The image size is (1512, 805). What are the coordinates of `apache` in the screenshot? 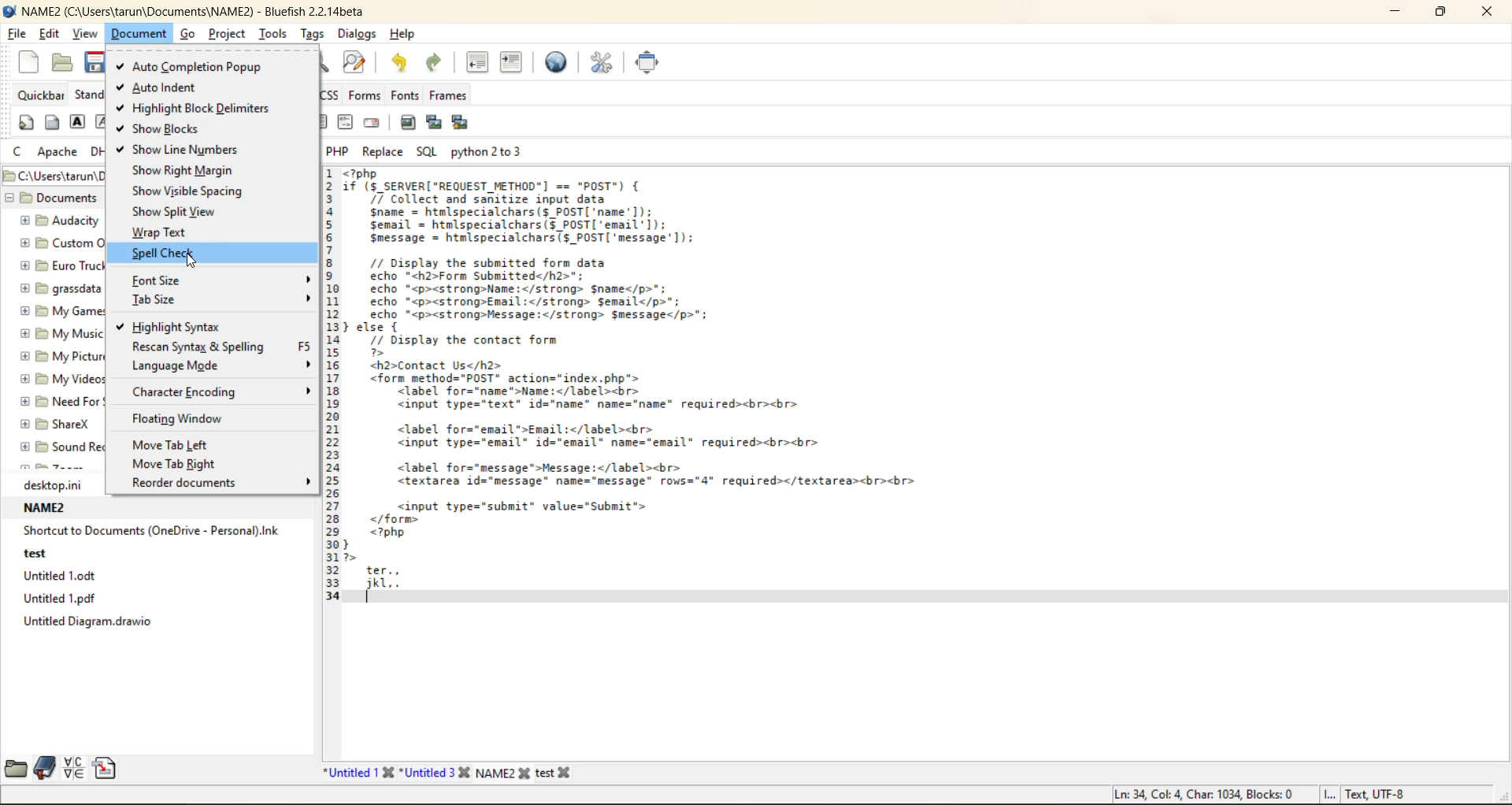 It's located at (57, 150).